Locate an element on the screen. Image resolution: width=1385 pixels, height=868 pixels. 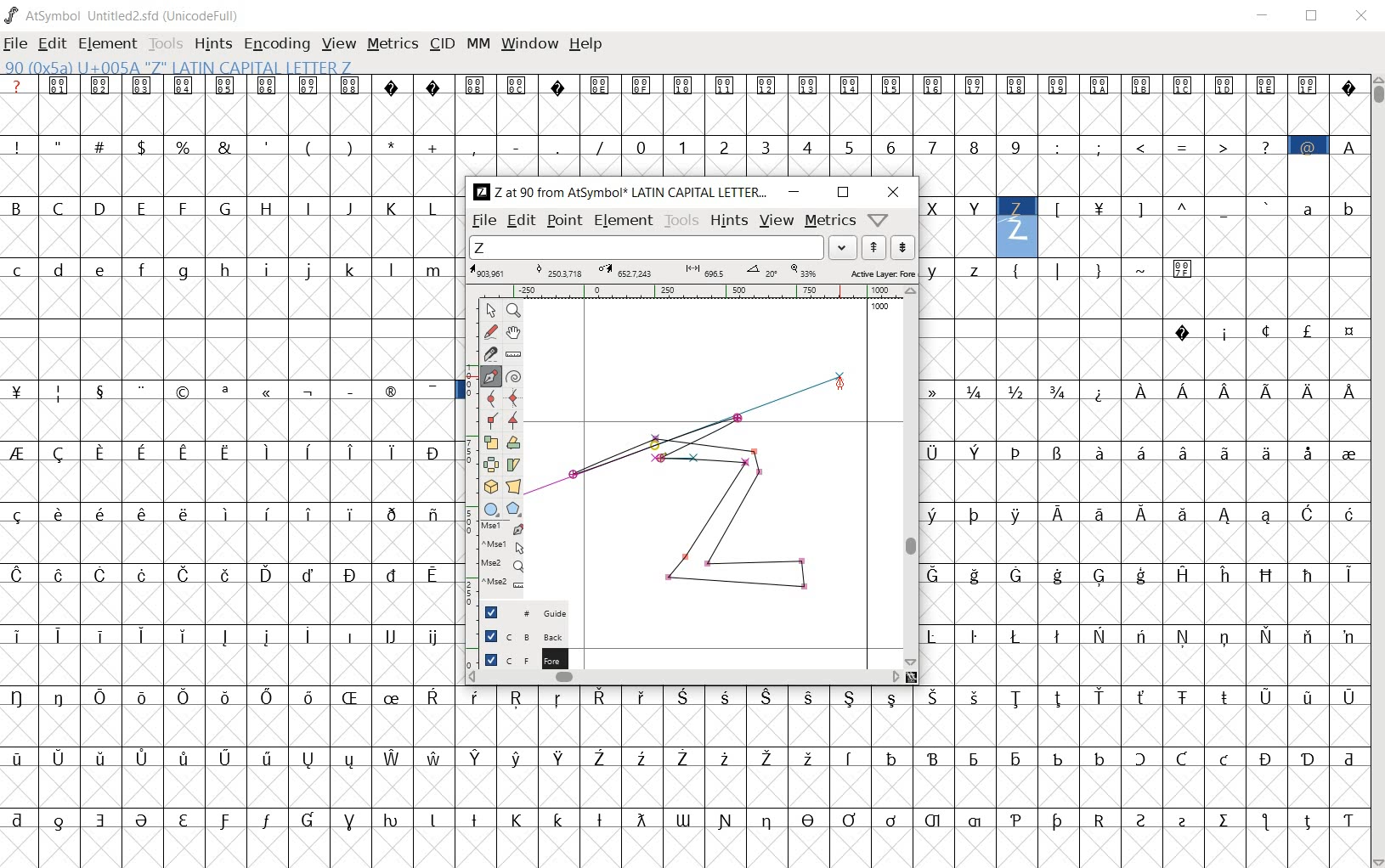
Add a corner point is located at coordinates (490, 420).